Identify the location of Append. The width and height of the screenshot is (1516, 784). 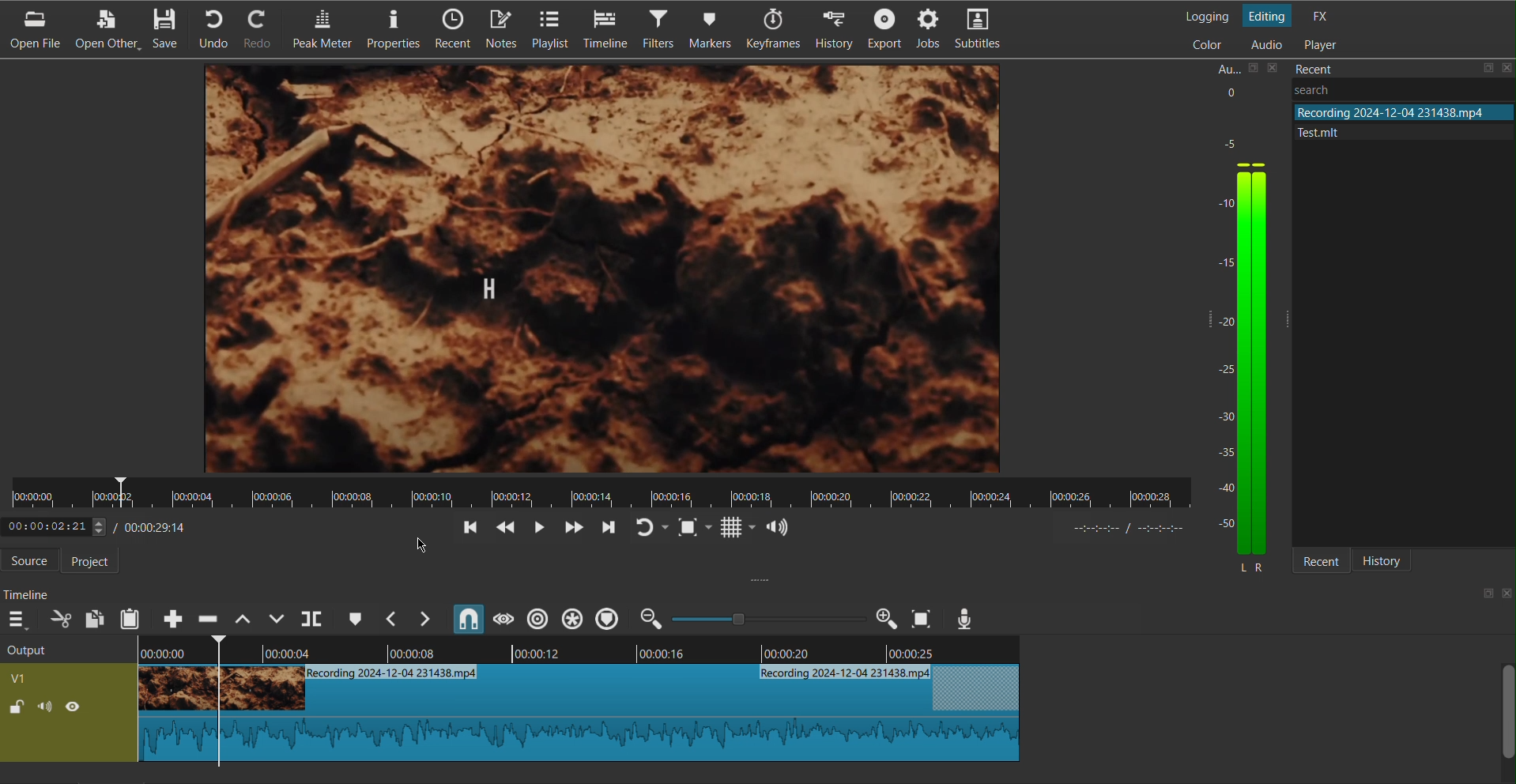
(170, 619).